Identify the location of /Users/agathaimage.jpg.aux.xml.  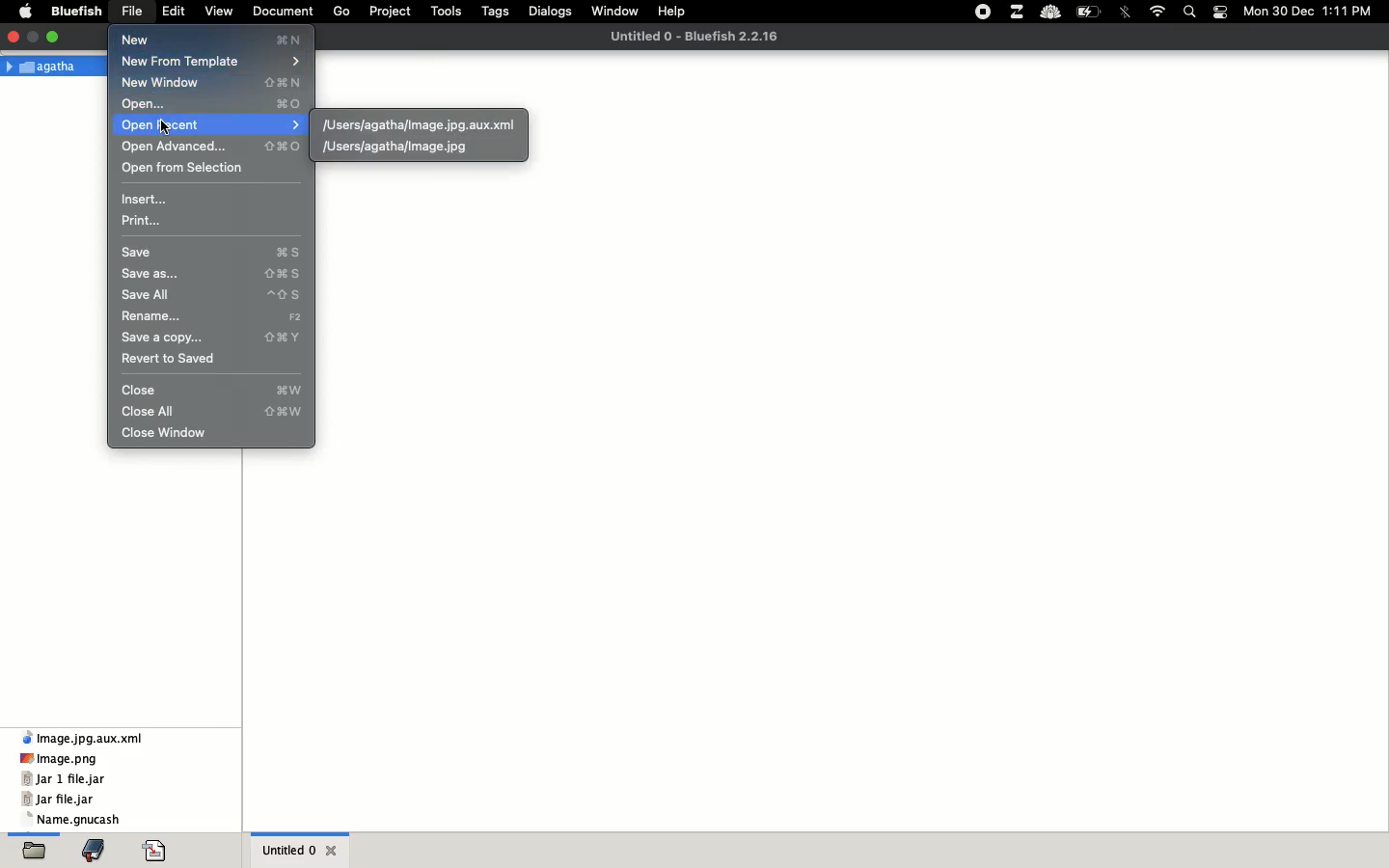
(420, 123).